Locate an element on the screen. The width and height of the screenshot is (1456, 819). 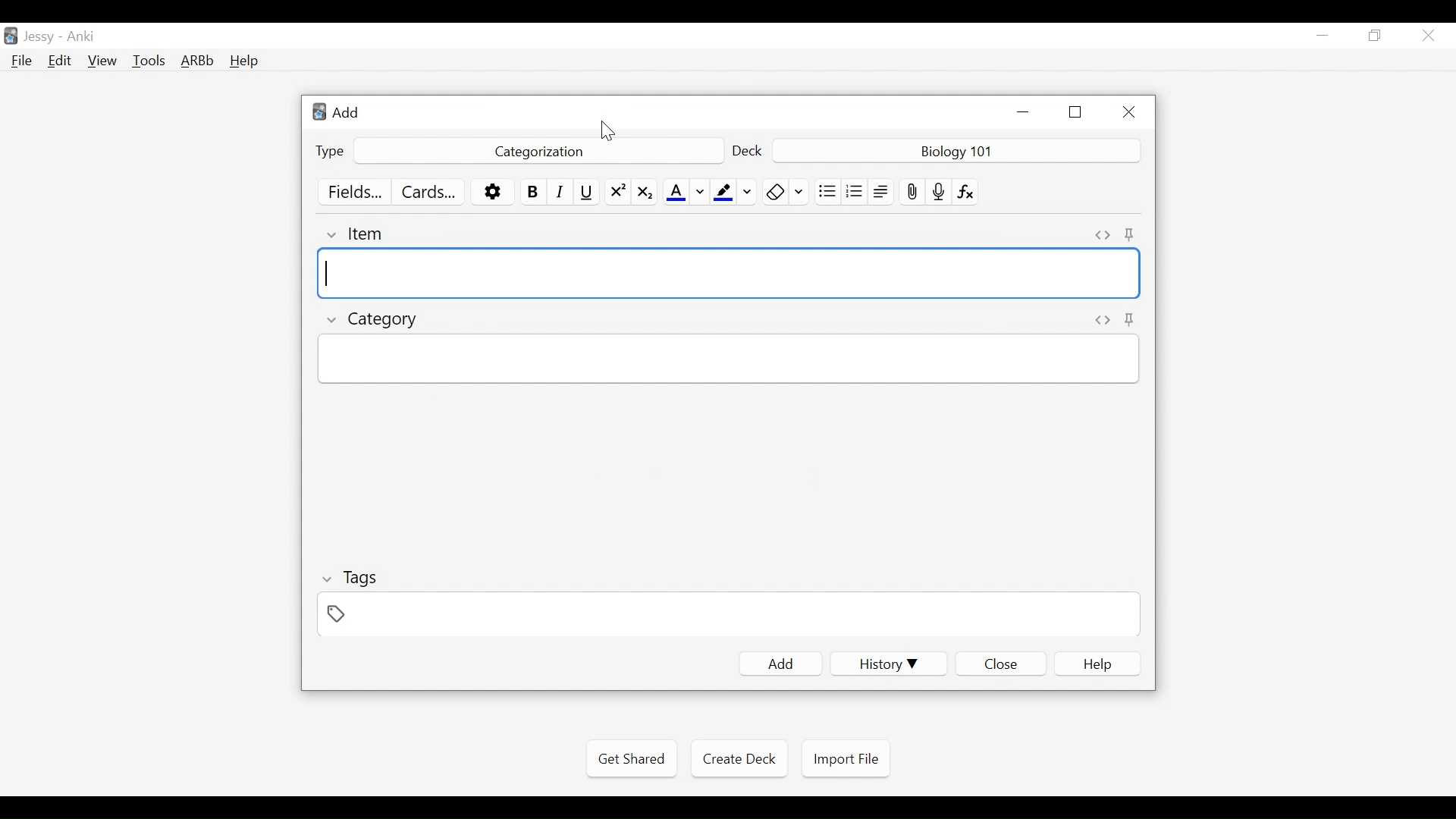
Tags is located at coordinates (349, 580).